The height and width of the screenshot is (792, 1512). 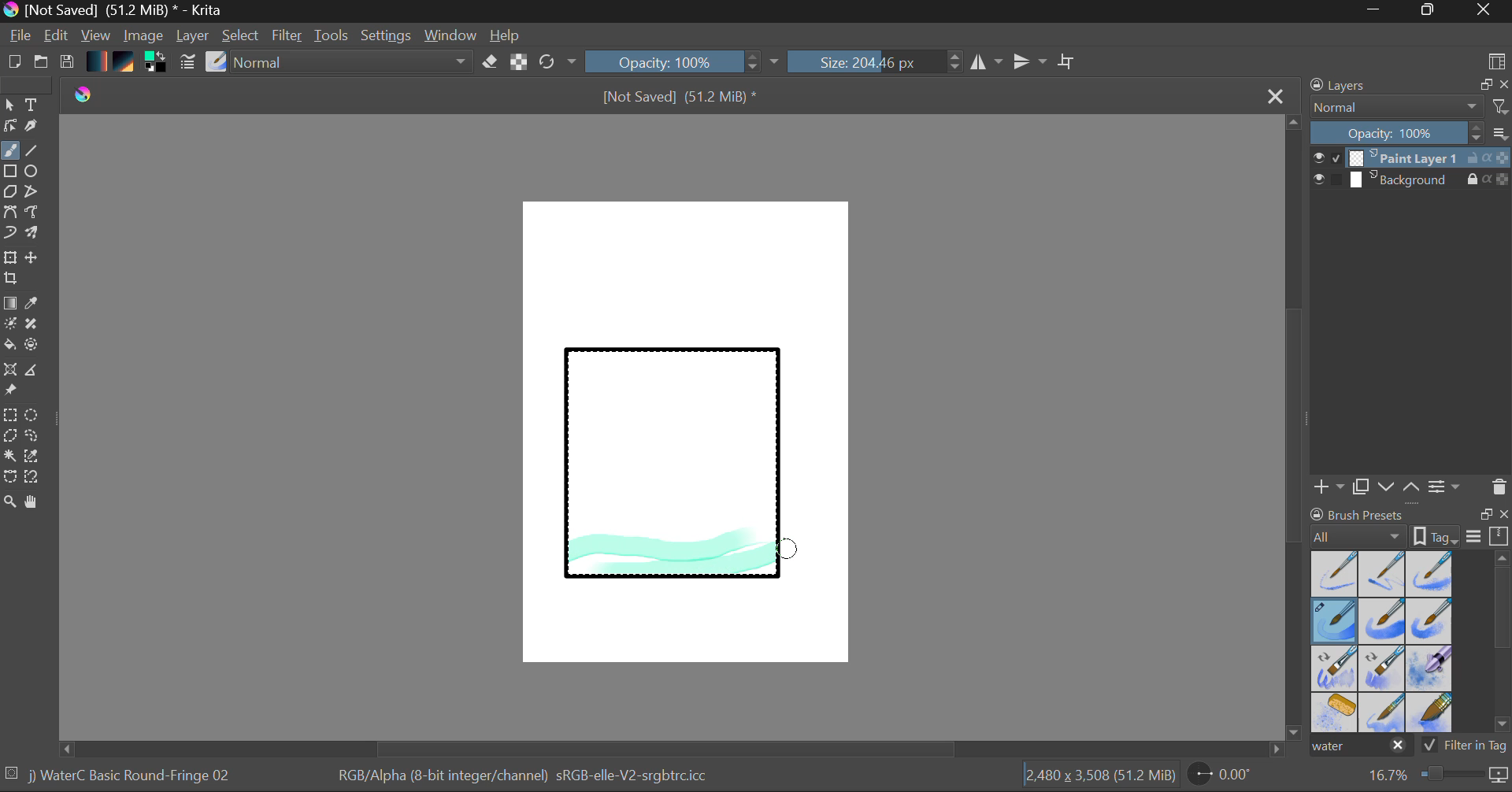 What do you see at coordinates (33, 193) in the screenshot?
I see `Polyline` at bounding box center [33, 193].